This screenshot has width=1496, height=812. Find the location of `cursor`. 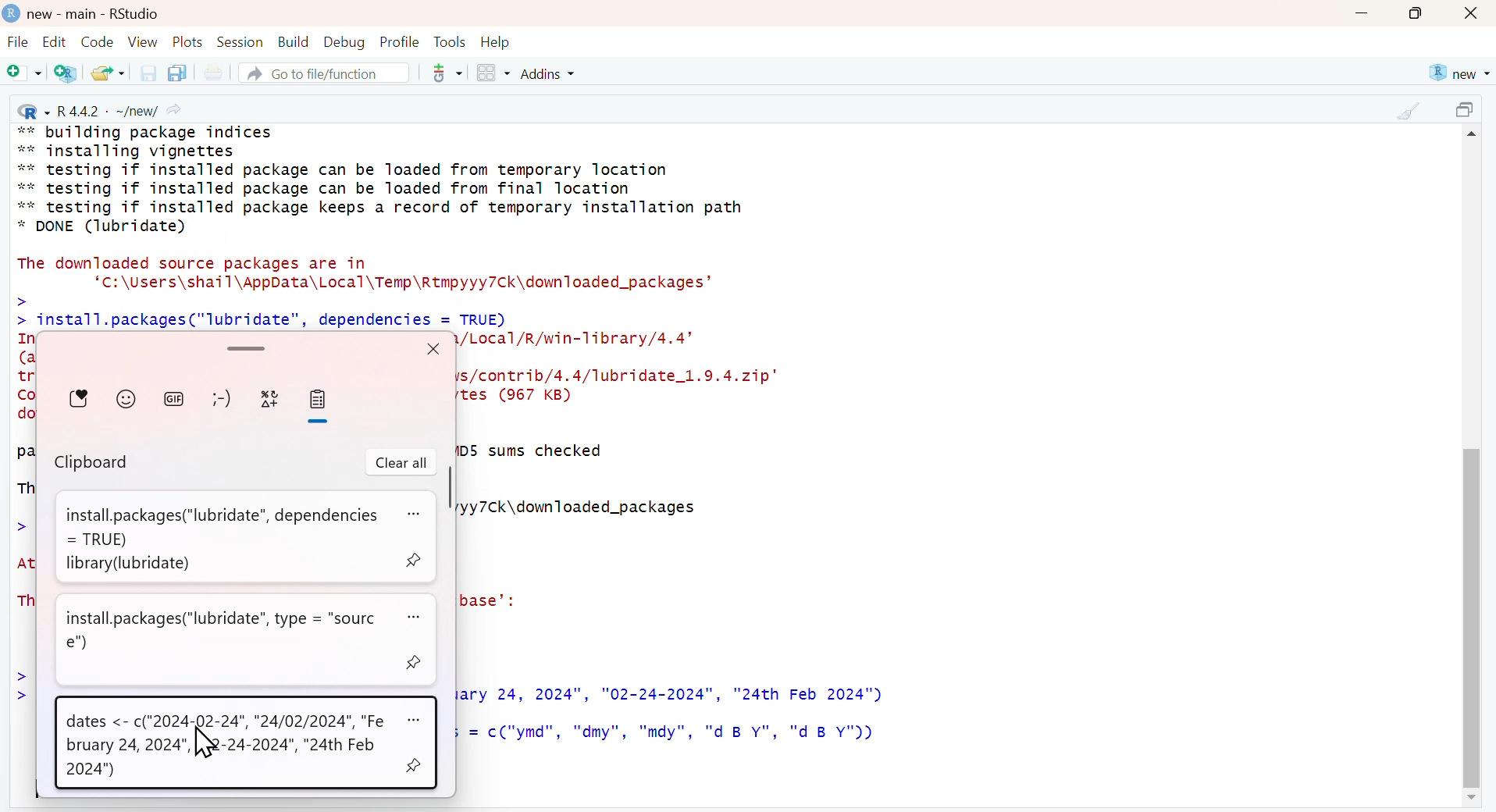

cursor is located at coordinates (205, 744).